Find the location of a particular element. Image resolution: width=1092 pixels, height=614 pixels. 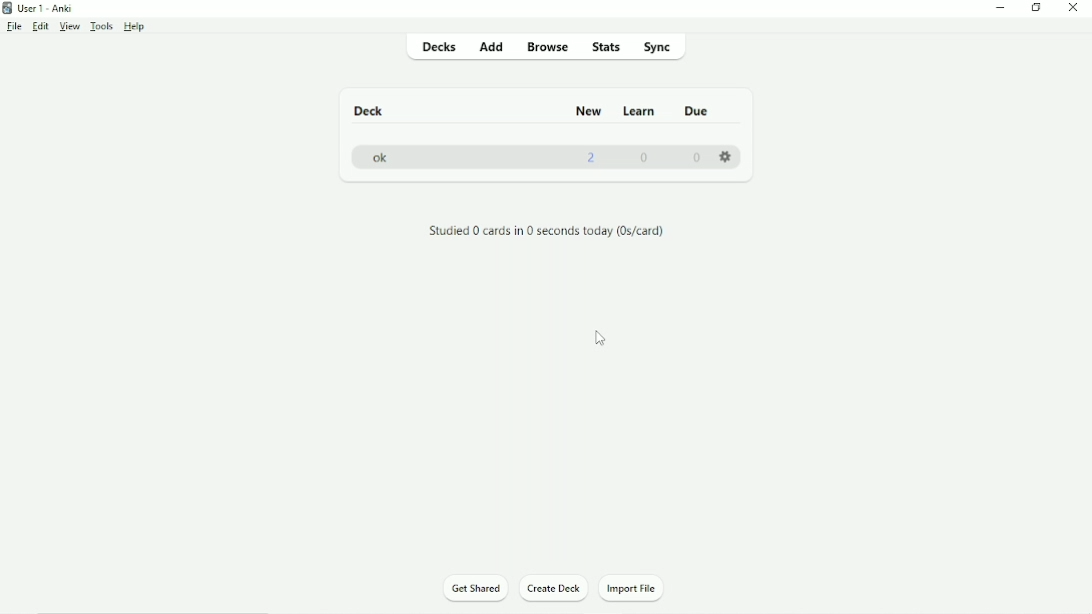

Decks is located at coordinates (437, 48).